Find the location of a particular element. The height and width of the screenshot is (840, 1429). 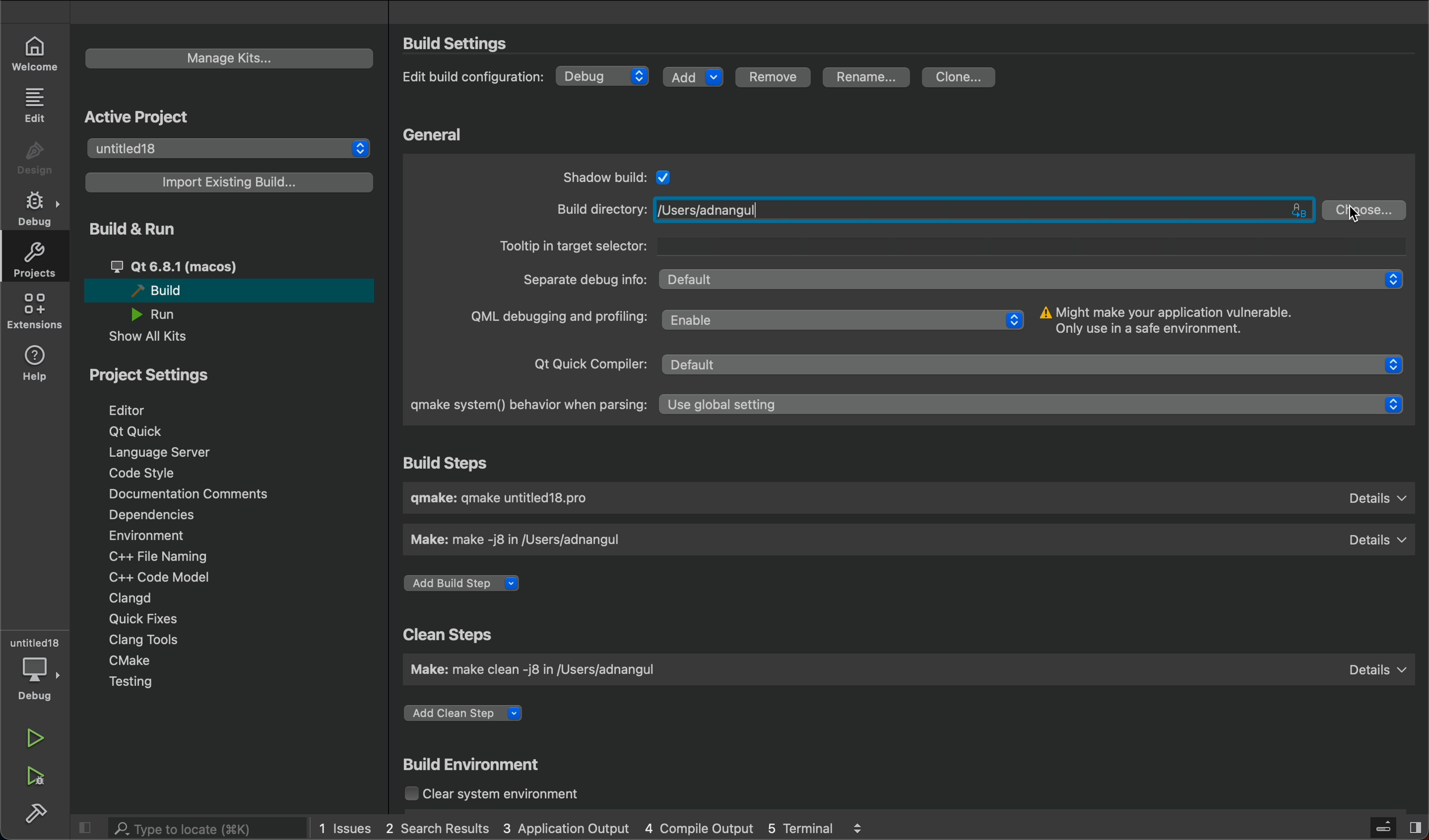

clangd is located at coordinates (132, 596).